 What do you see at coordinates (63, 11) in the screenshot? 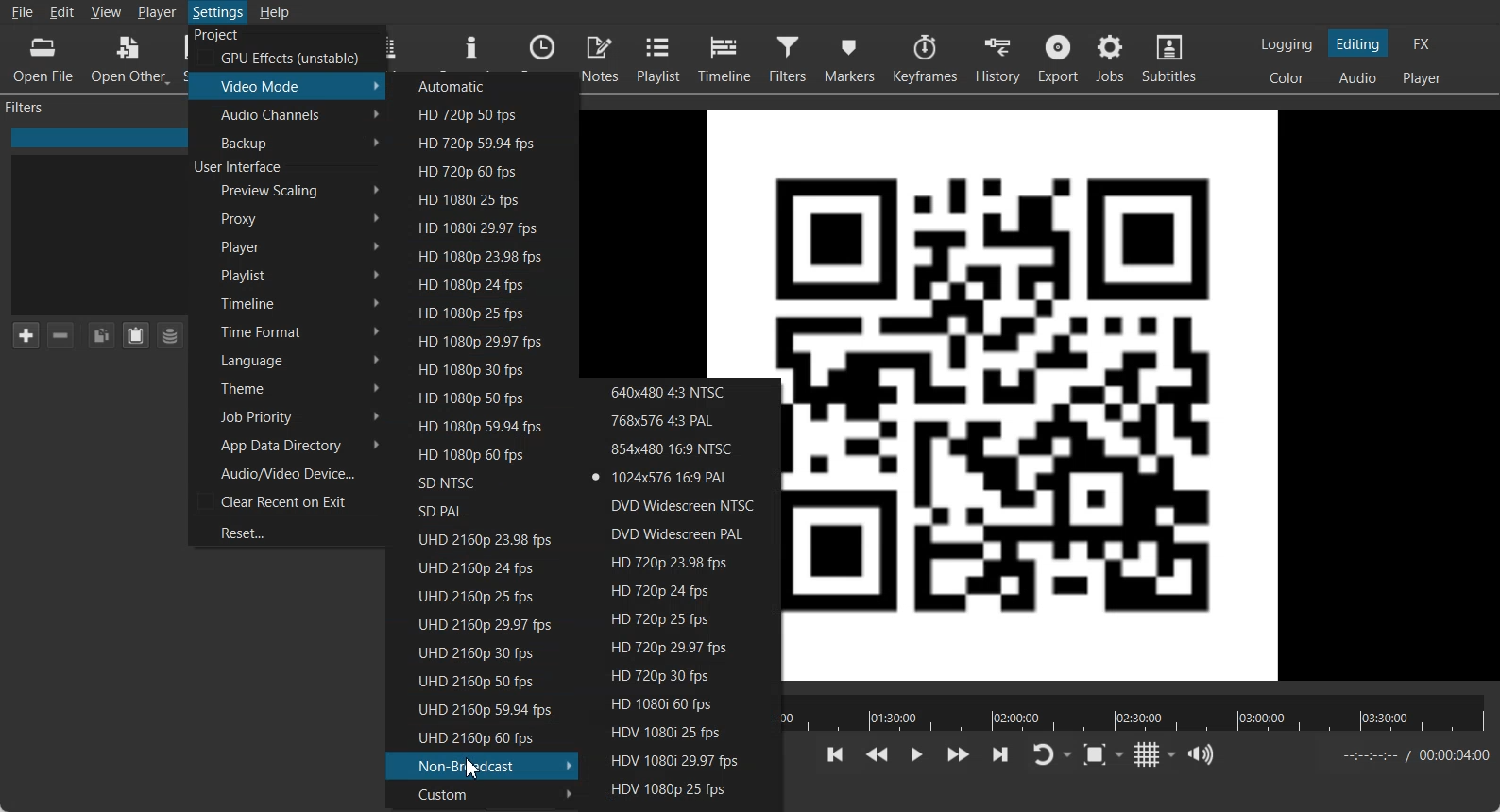
I see `Edit` at bounding box center [63, 11].